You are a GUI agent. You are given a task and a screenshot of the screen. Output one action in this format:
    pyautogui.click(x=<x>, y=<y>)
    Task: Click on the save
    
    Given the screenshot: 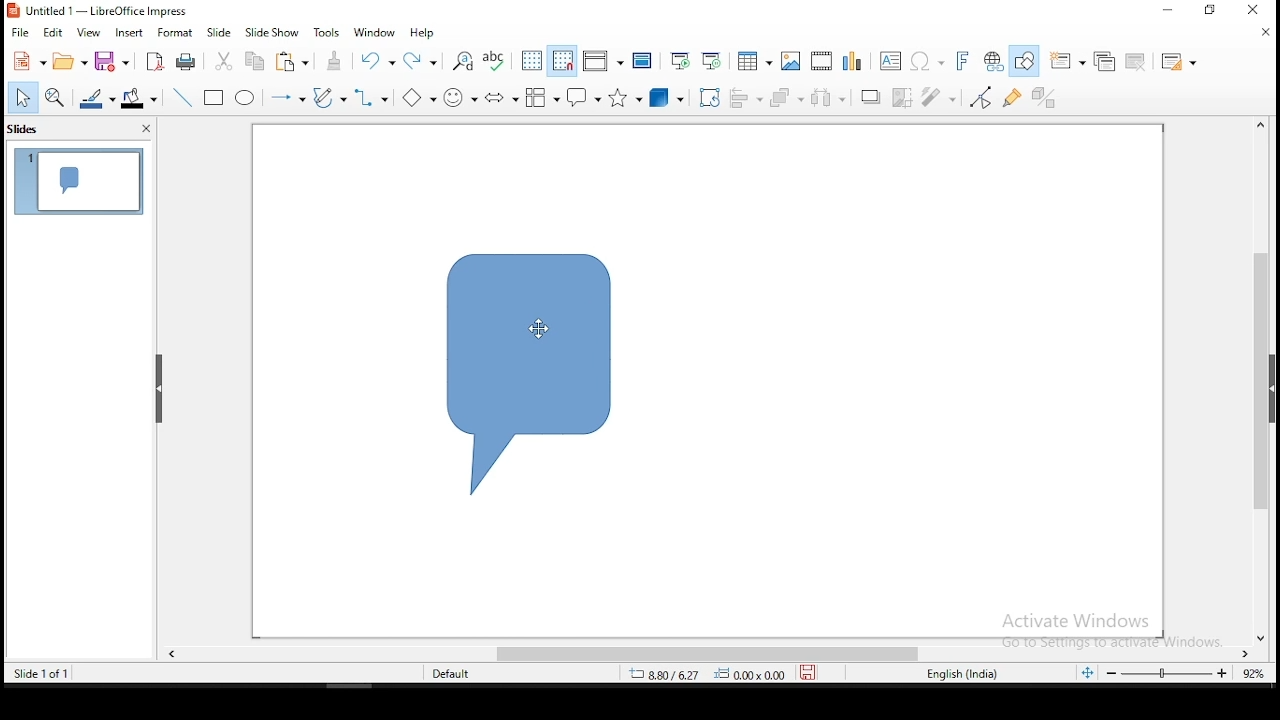 What is the action you would take?
    pyautogui.click(x=112, y=61)
    